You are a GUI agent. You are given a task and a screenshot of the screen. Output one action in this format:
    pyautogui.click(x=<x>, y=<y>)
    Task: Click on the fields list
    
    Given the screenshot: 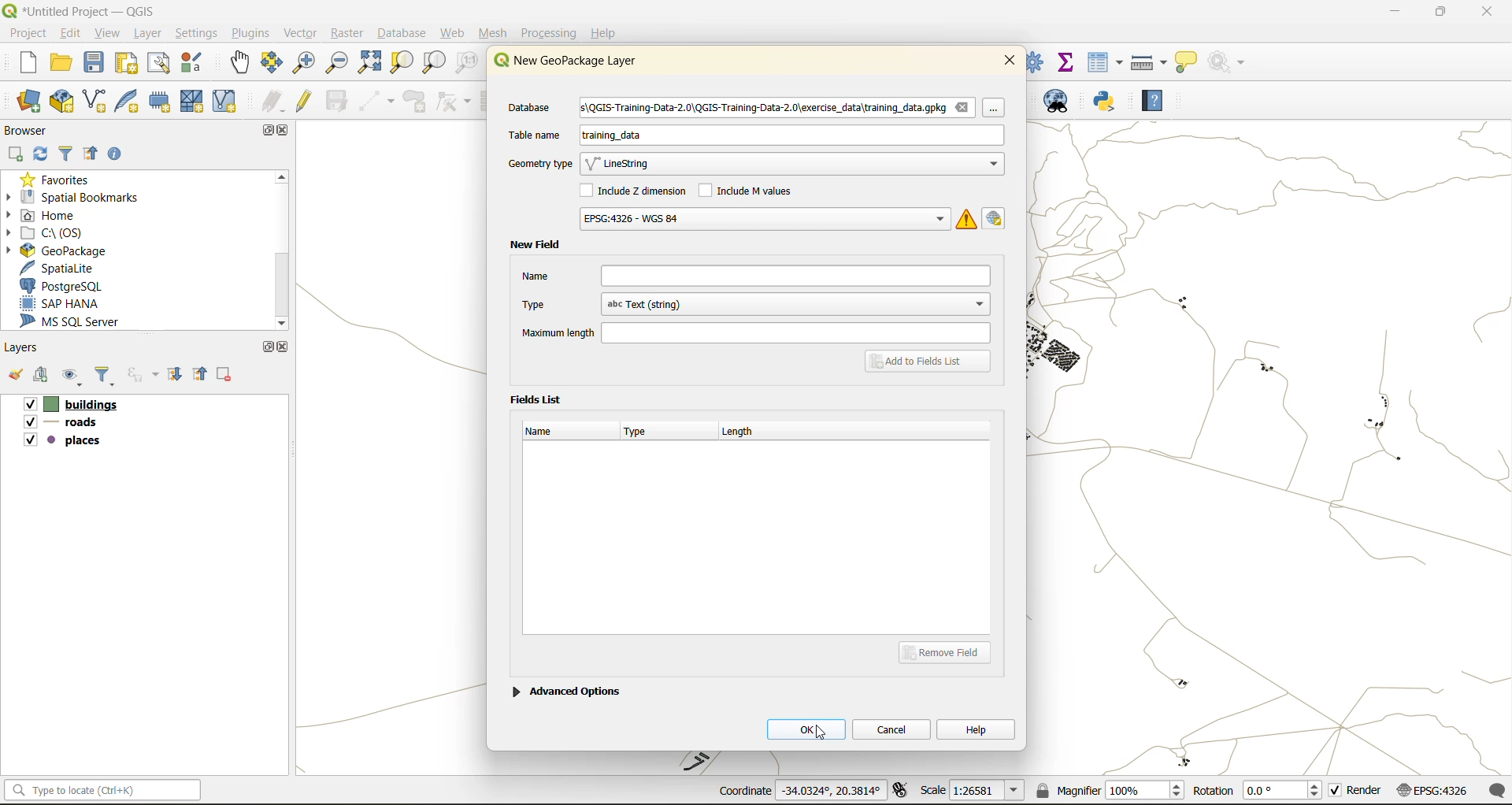 What is the action you would take?
    pyautogui.click(x=539, y=398)
    